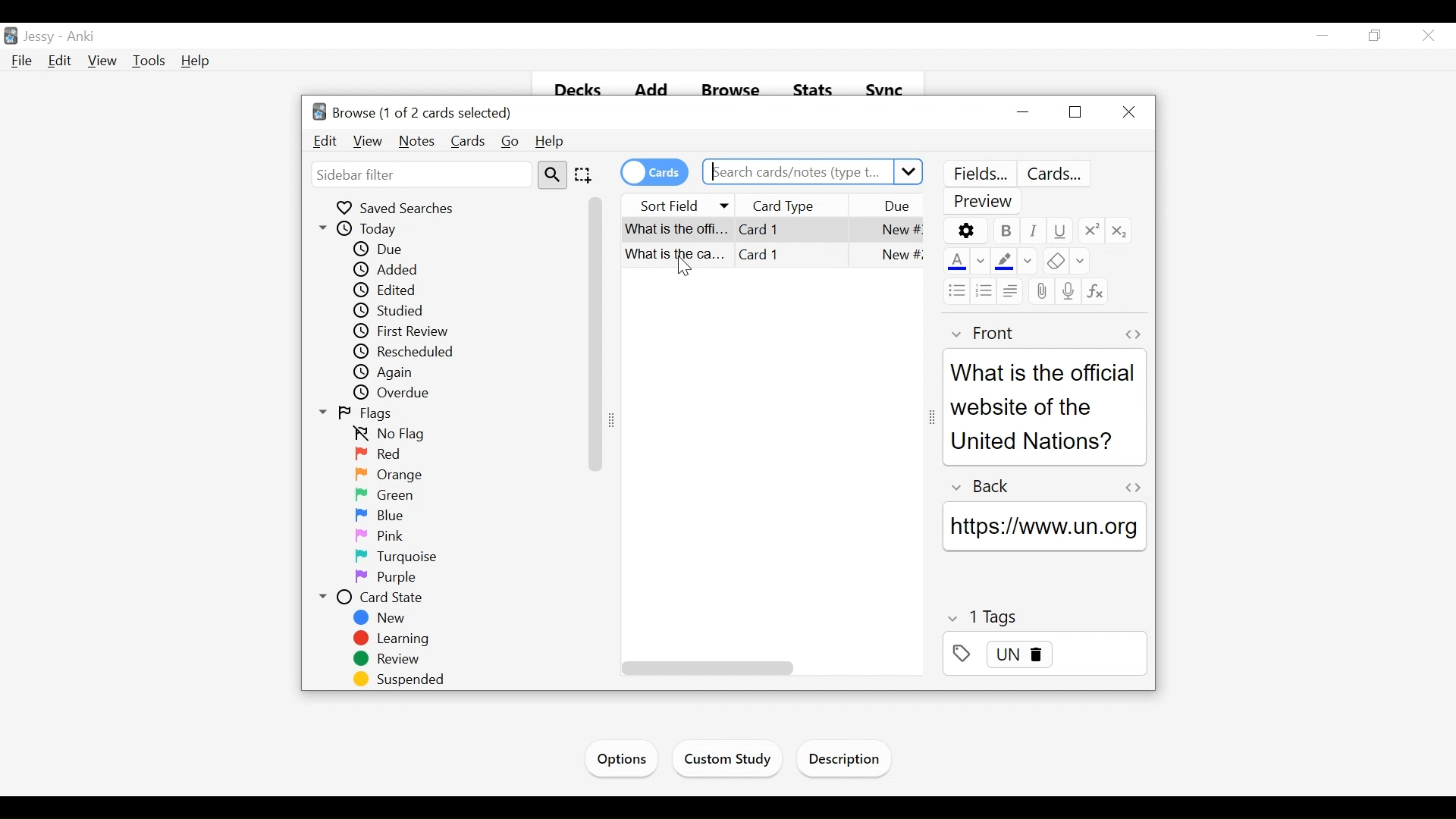  I want to click on Front Field, so click(1044, 406).